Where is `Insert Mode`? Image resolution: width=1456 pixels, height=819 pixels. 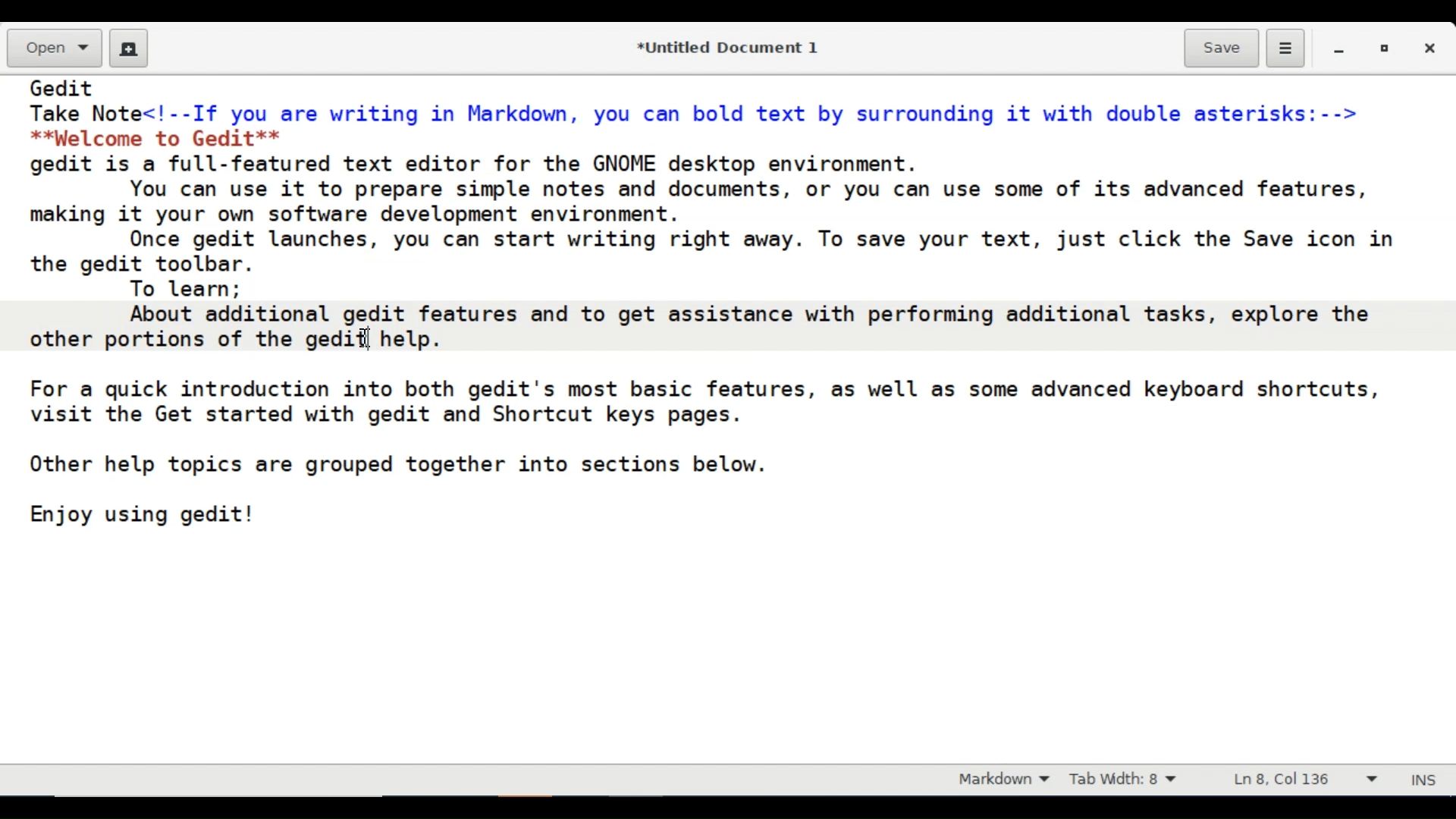
Insert Mode is located at coordinates (1426, 777).